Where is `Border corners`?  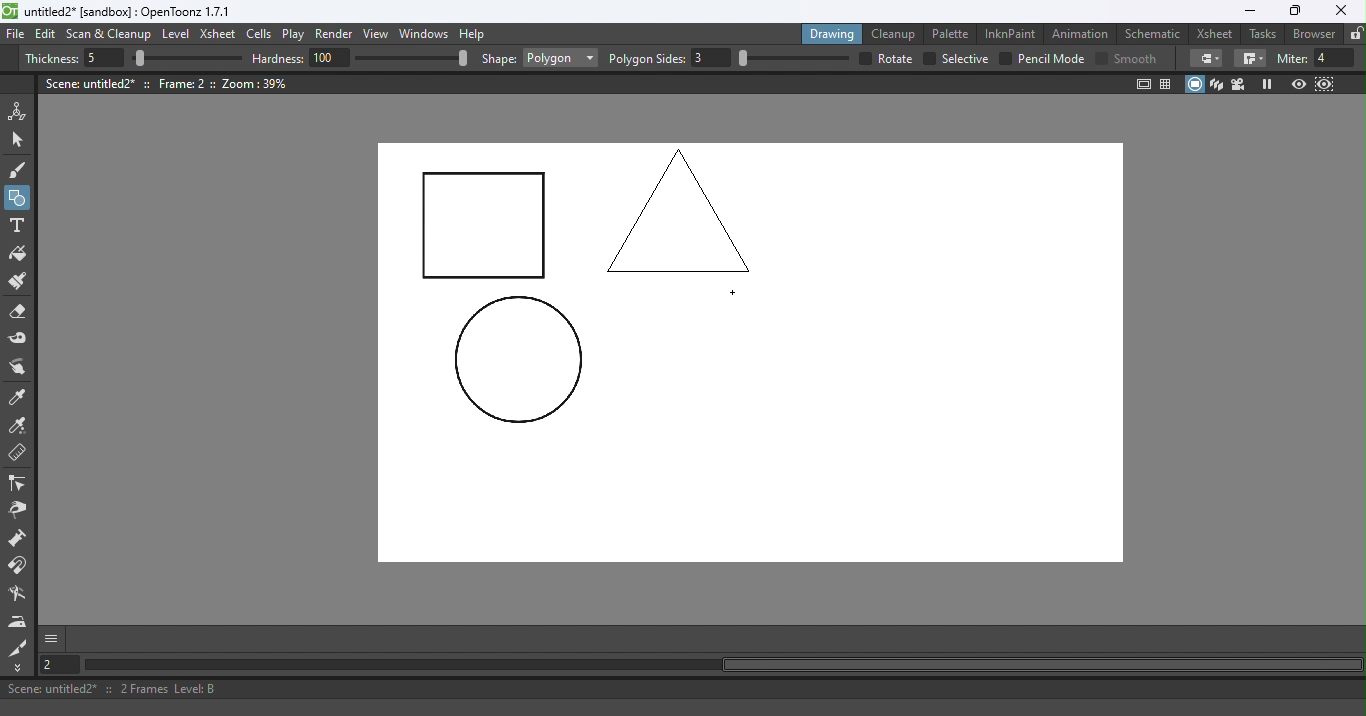 Border corners is located at coordinates (1206, 58).